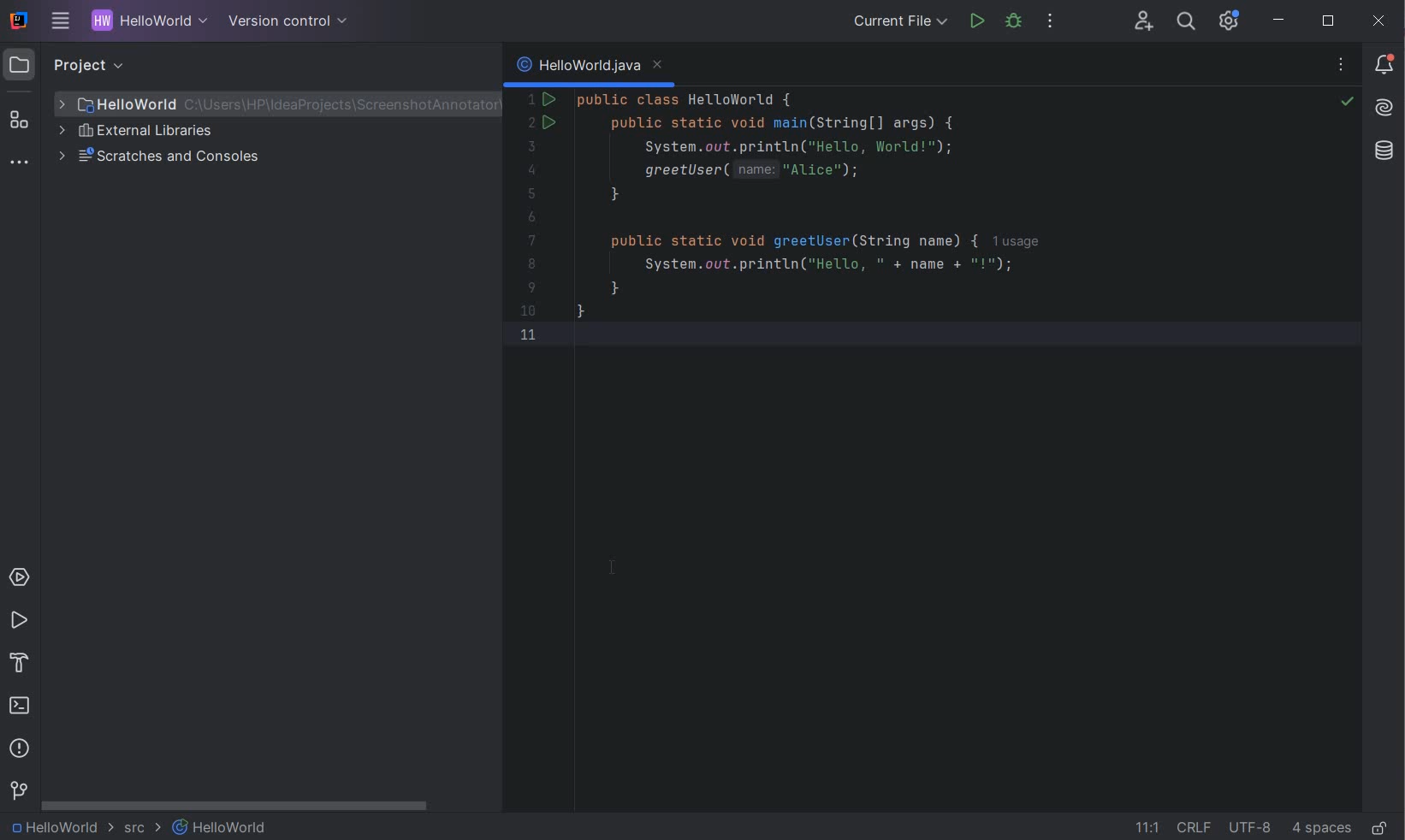 The image size is (1405, 840). What do you see at coordinates (1193, 827) in the screenshot?
I see `LINE SEPARATOR` at bounding box center [1193, 827].